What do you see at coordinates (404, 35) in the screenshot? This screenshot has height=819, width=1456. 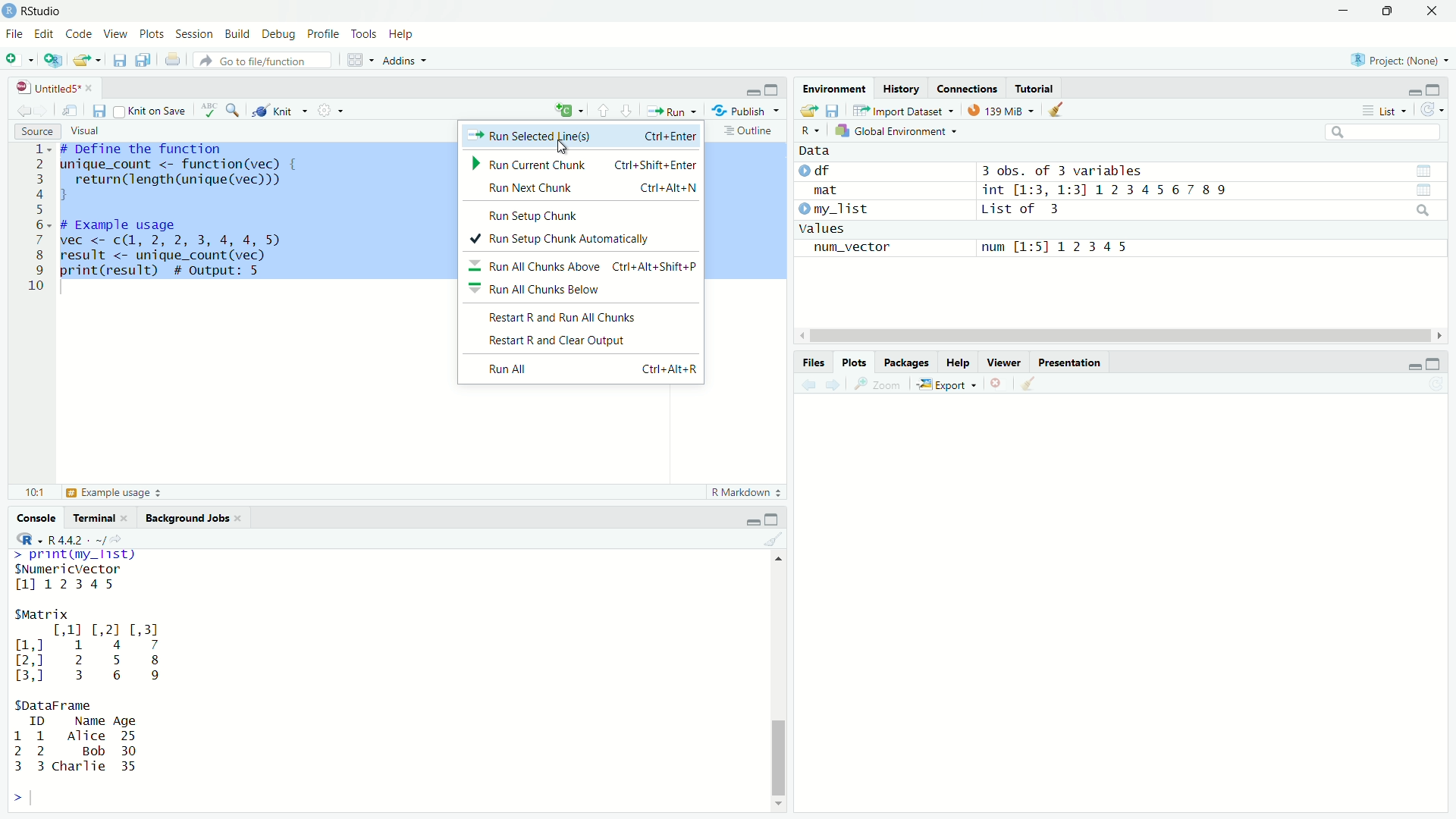 I see `Help` at bounding box center [404, 35].